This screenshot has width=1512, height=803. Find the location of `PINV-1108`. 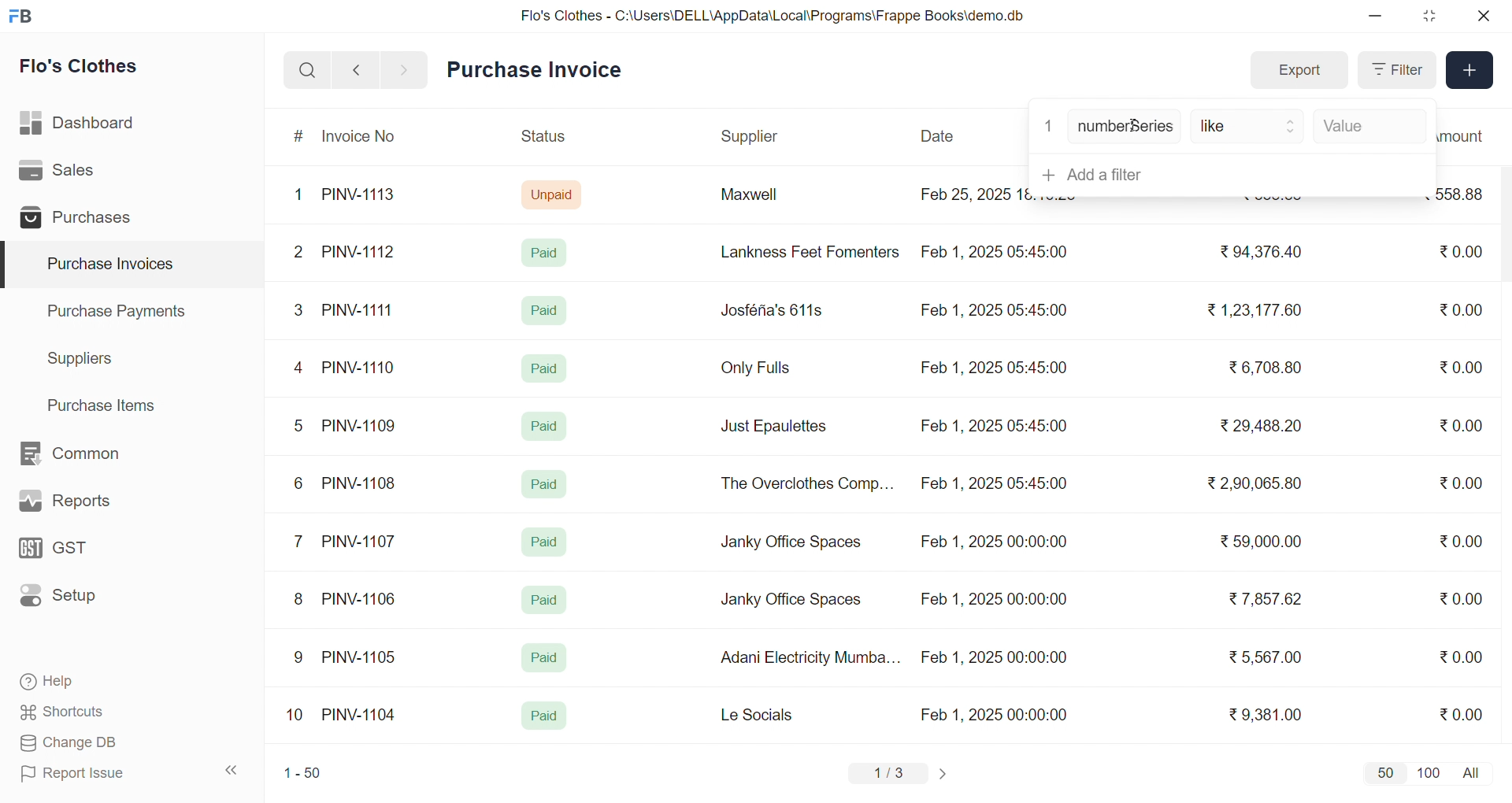

PINV-1108 is located at coordinates (360, 483).